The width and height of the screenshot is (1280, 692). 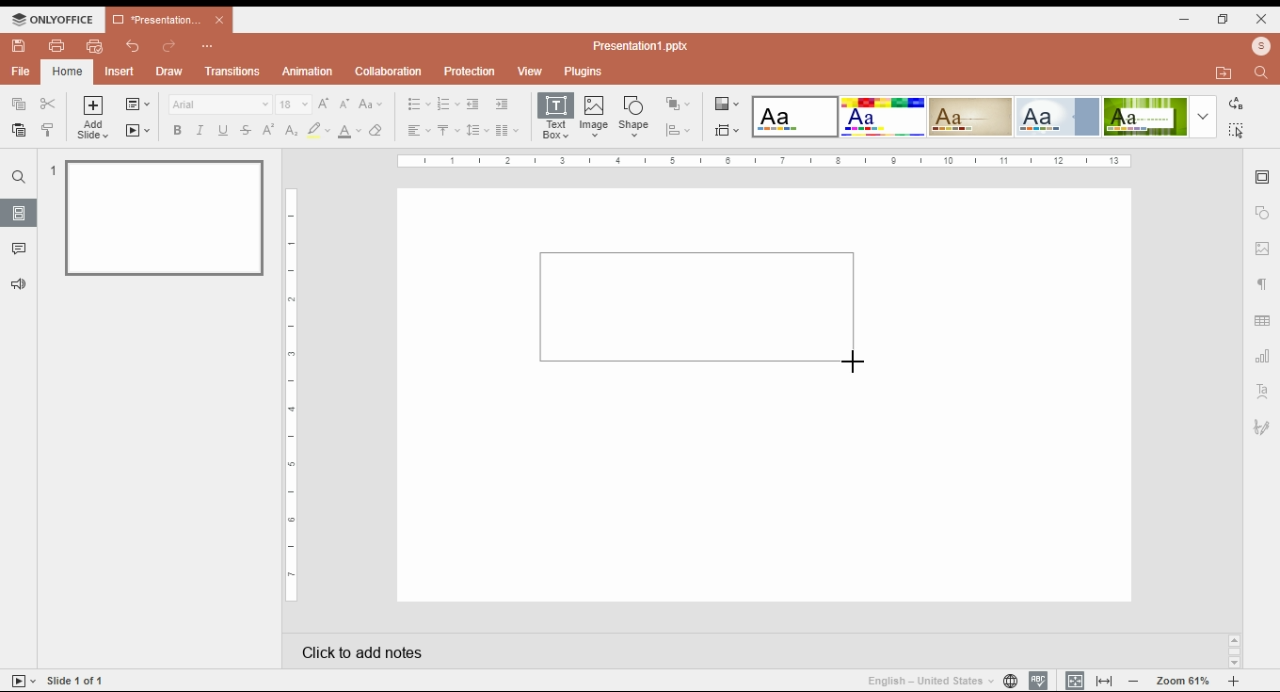 What do you see at coordinates (224, 130) in the screenshot?
I see `underline` at bounding box center [224, 130].